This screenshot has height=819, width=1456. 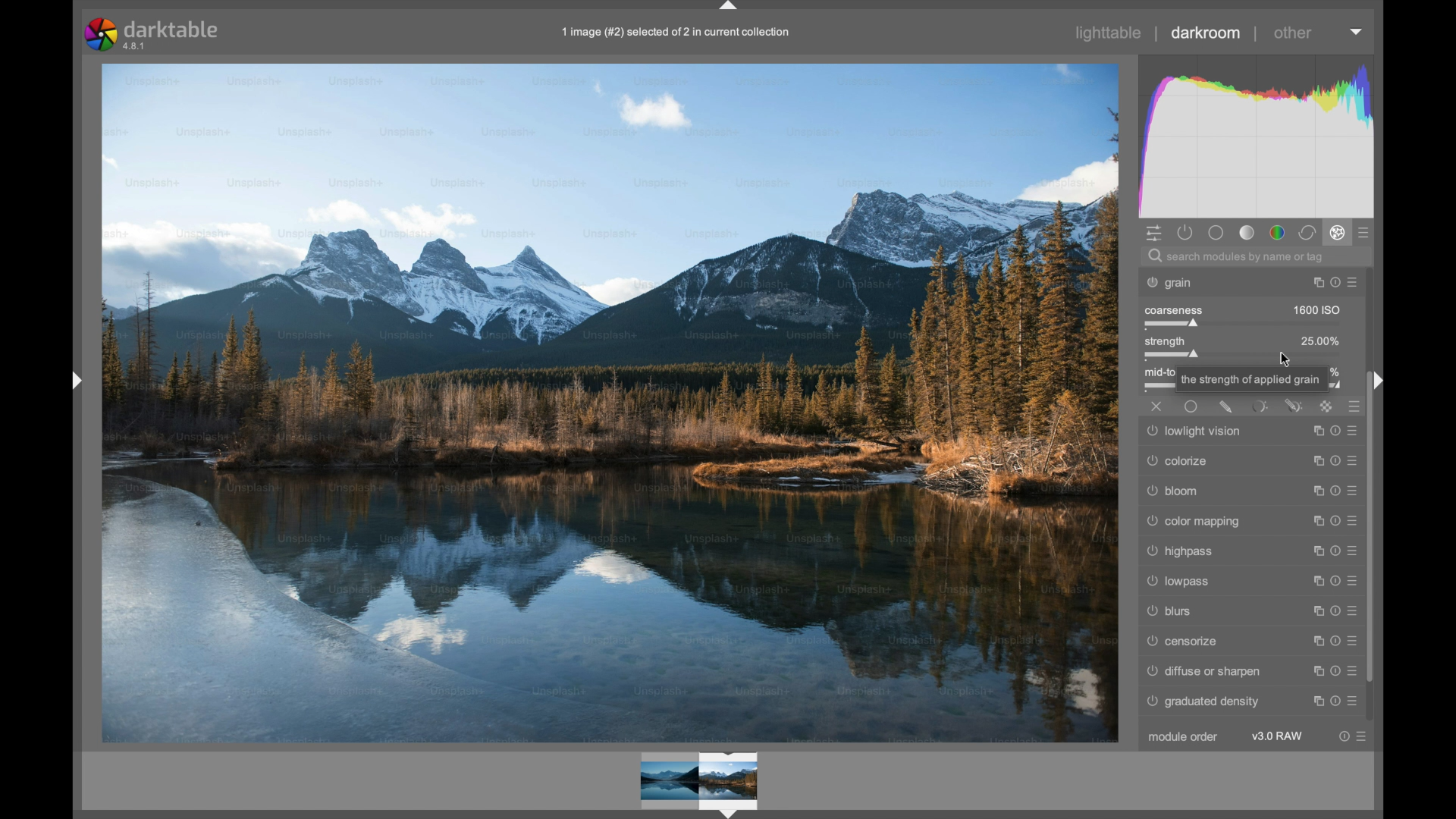 What do you see at coordinates (1335, 431) in the screenshot?
I see `reset parameters` at bounding box center [1335, 431].